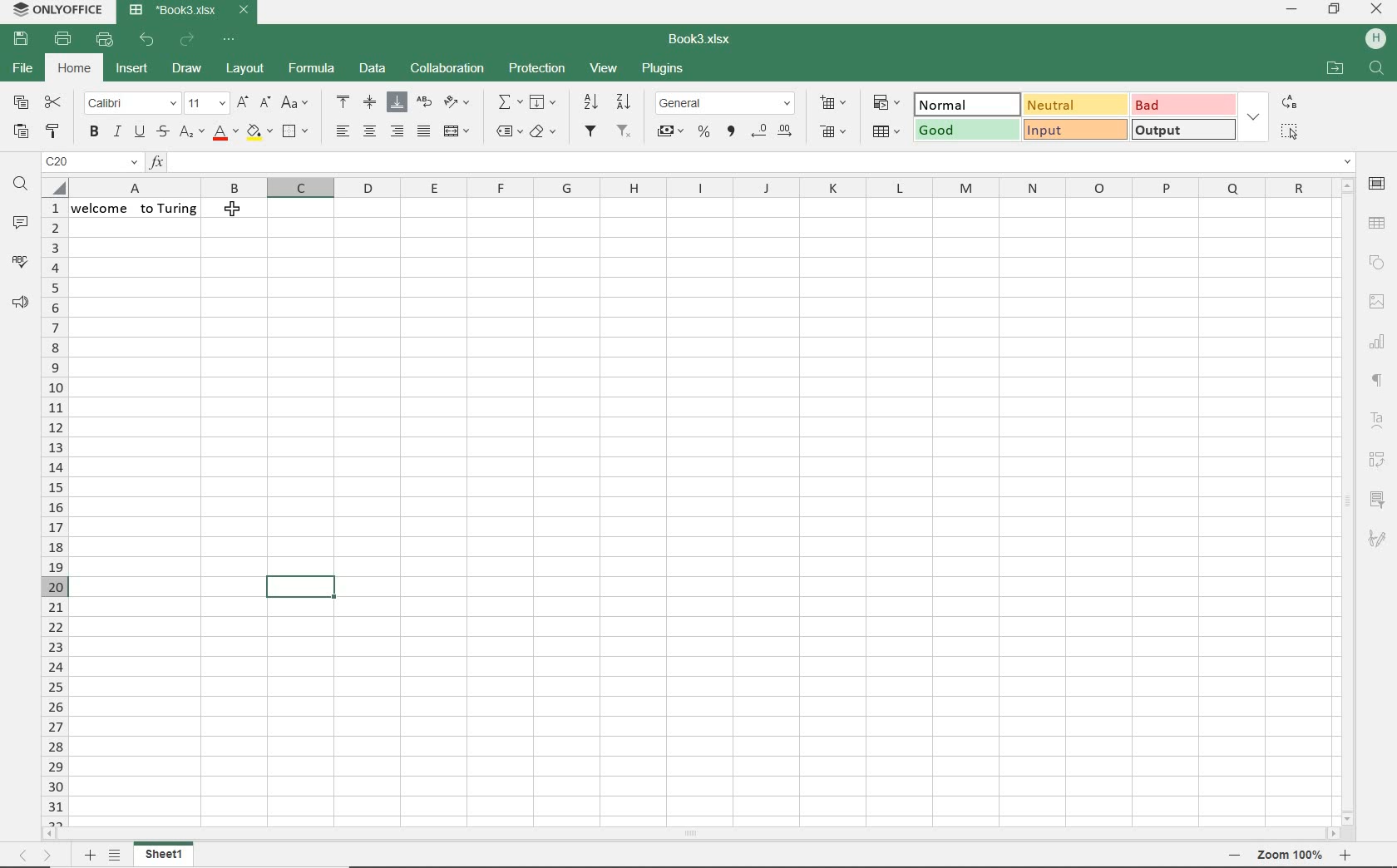  What do you see at coordinates (23, 70) in the screenshot?
I see `file` at bounding box center [23, 70].